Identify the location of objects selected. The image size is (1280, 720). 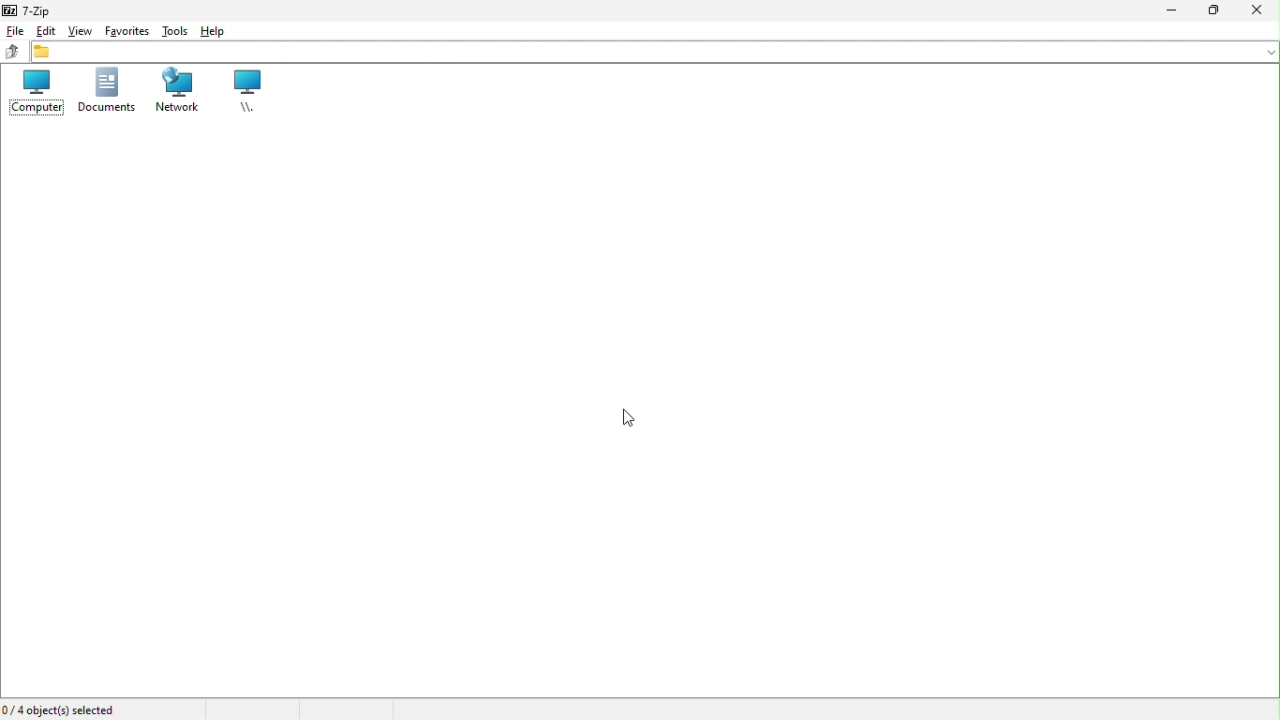
(62, 710).